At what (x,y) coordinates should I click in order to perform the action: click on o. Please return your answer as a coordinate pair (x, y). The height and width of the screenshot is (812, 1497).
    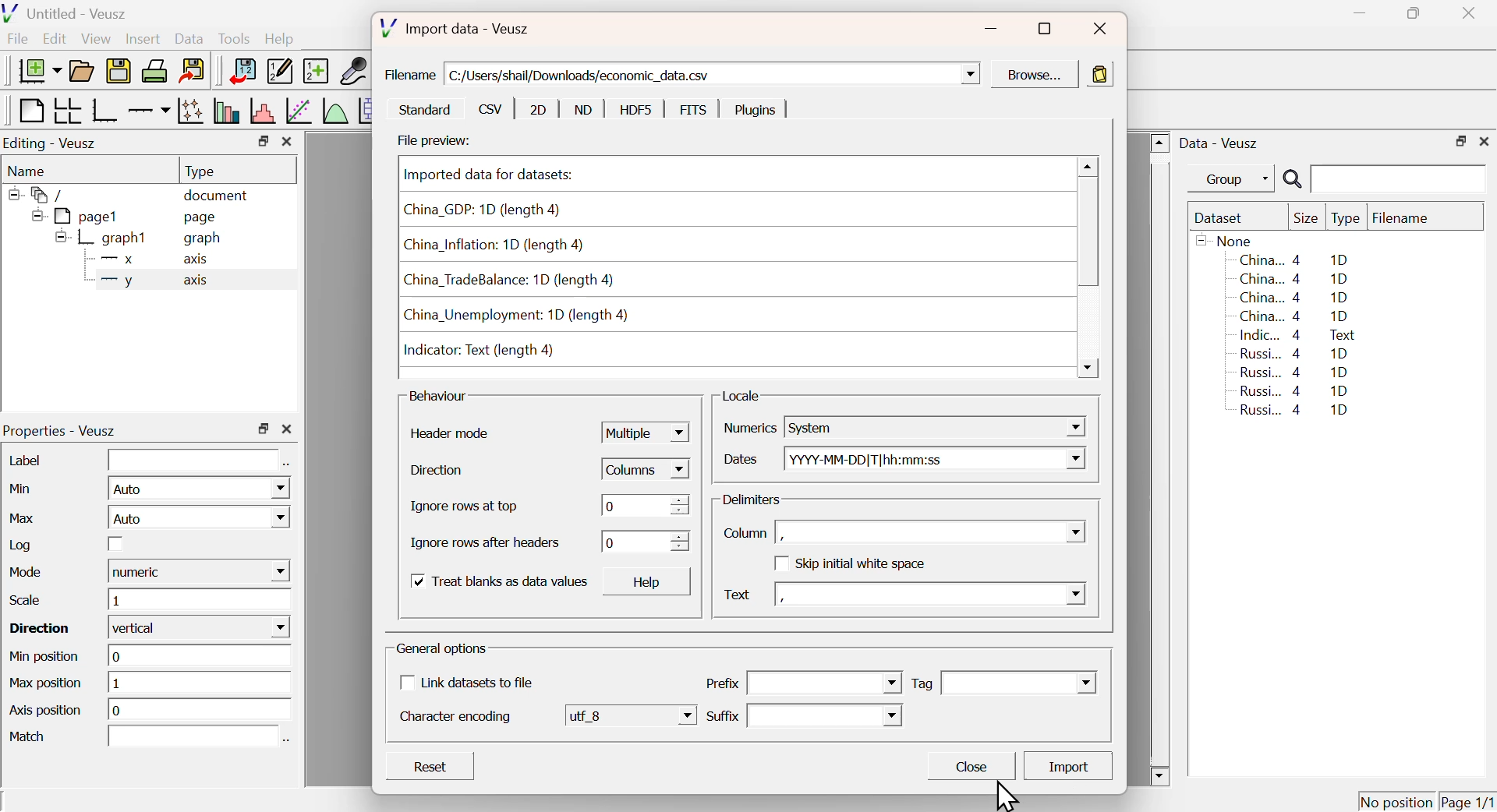
    Looking at the image, I should click on (200, 709).